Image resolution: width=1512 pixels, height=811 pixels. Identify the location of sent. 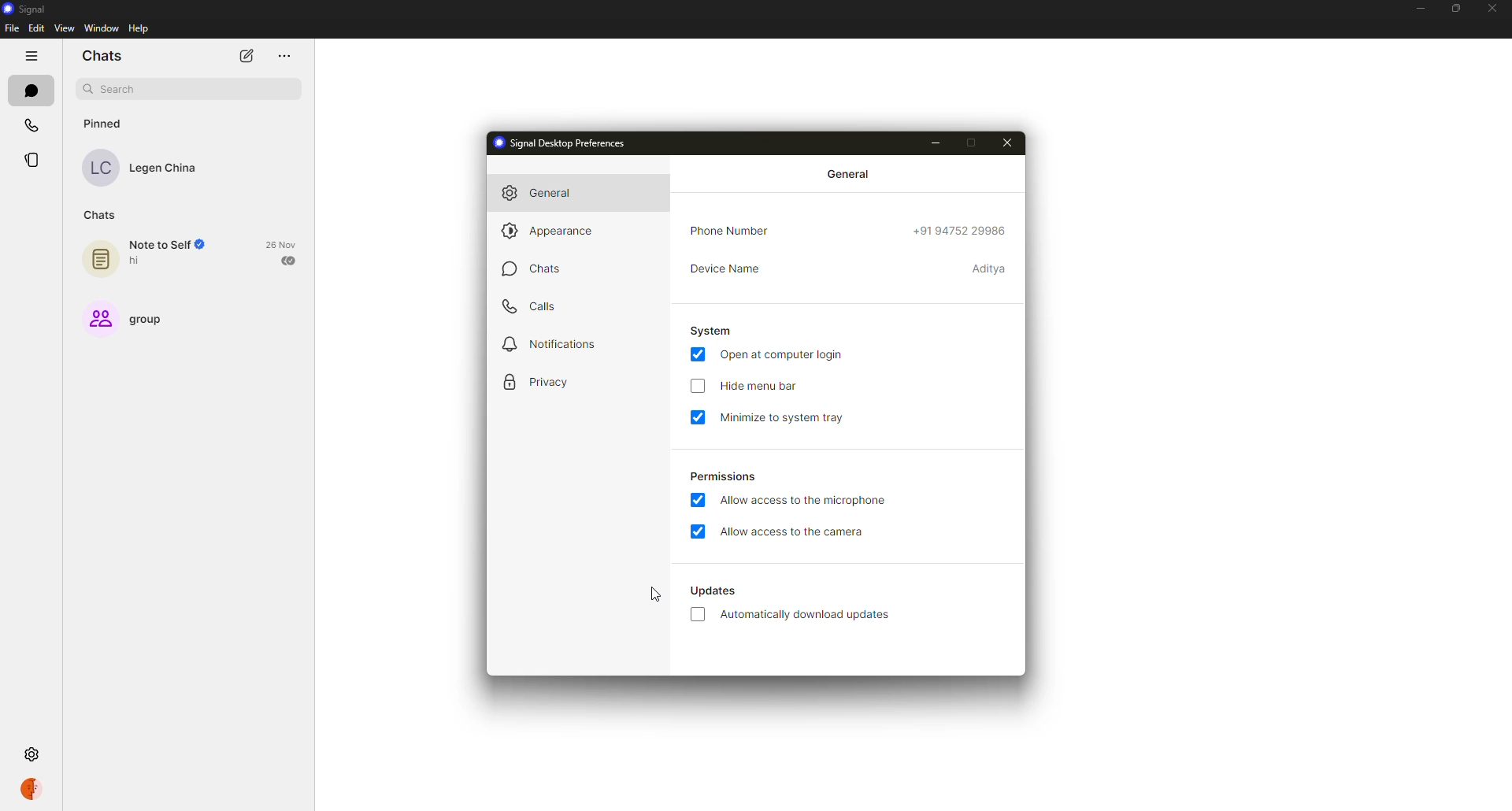
(289, 260).